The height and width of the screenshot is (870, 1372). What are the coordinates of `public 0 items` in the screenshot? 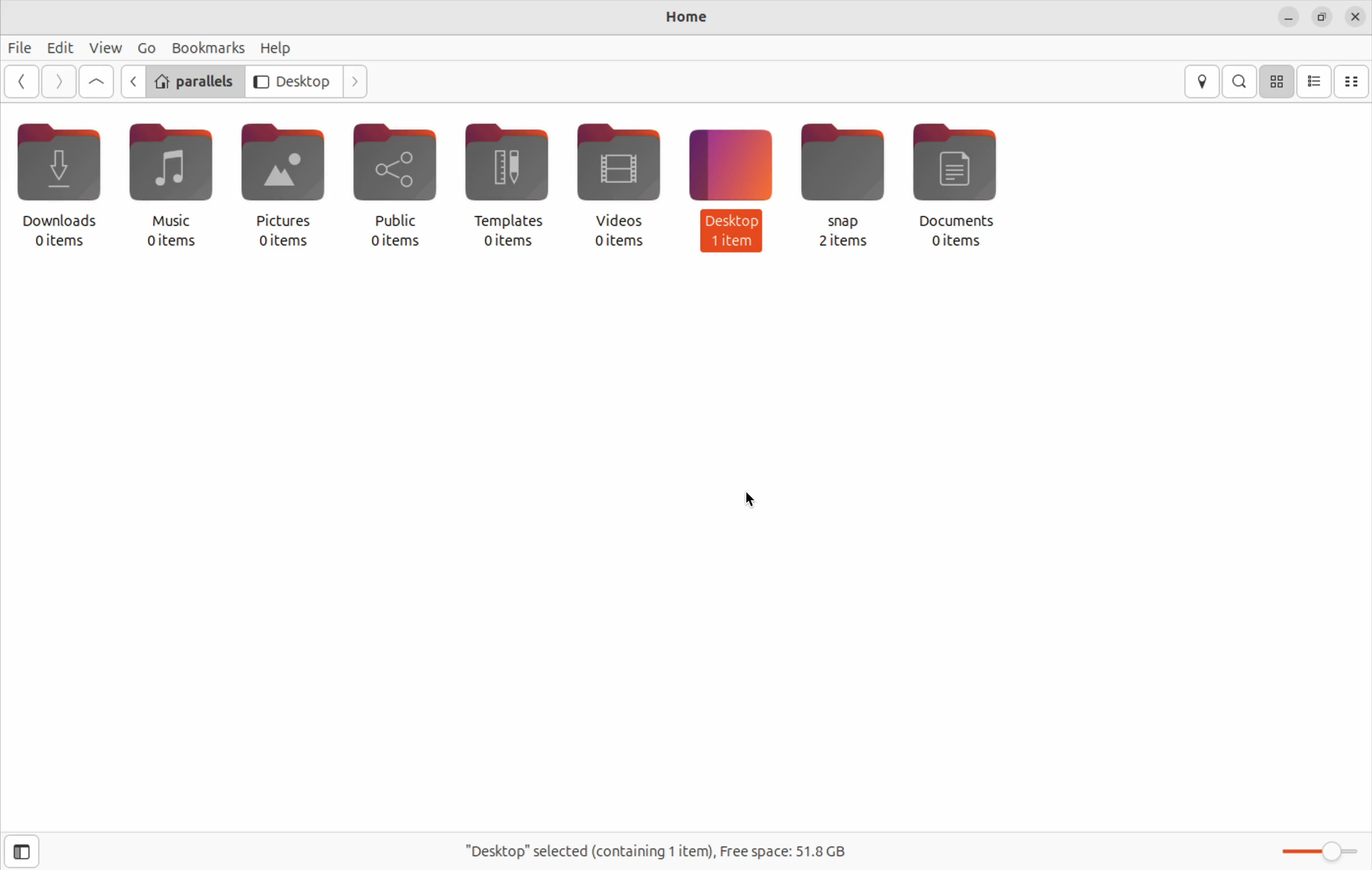 It's located at (397, 186).